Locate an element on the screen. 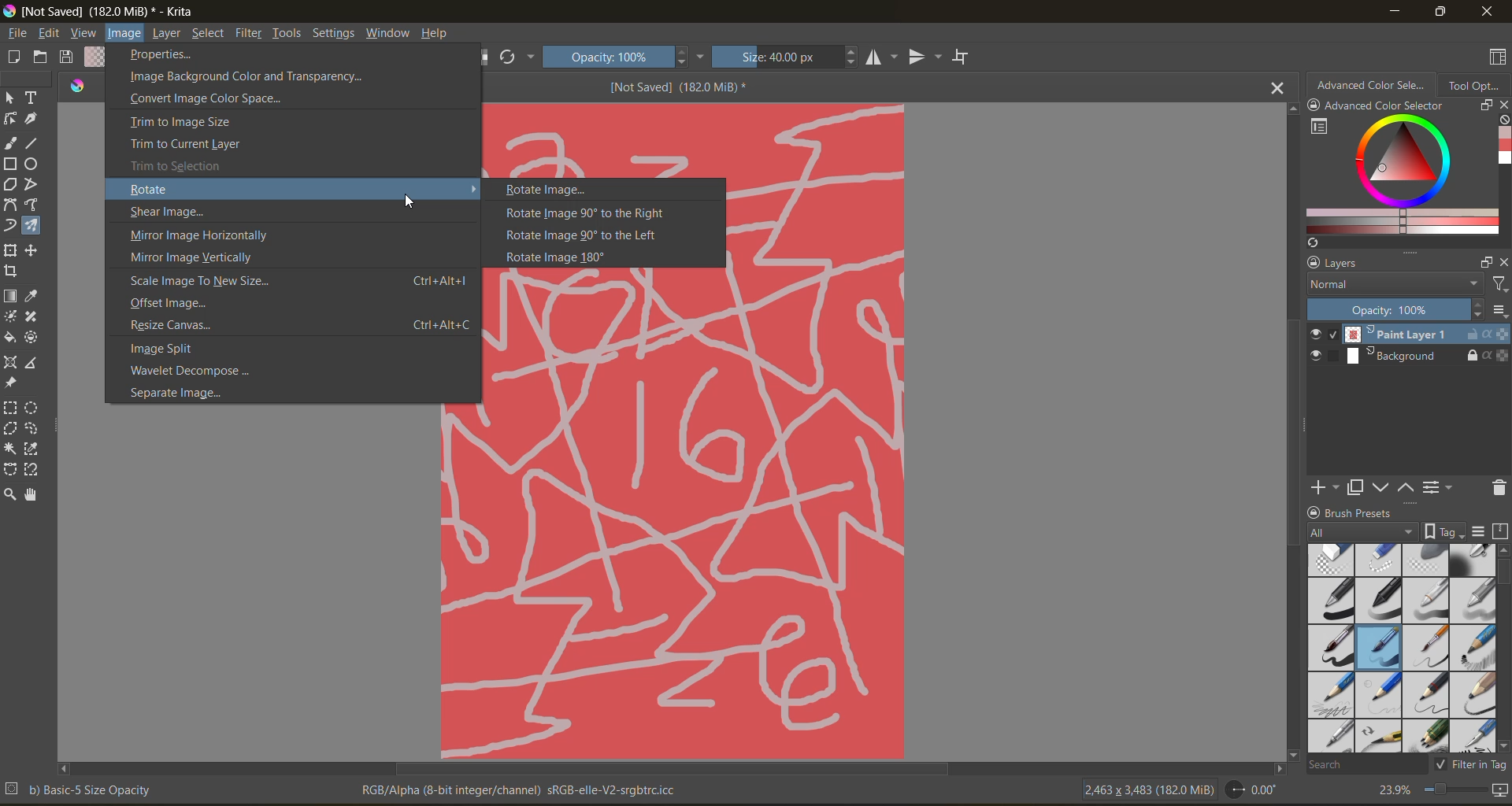 The width and height of the screenshot is (1512, 806). tools is located at coordinates (291, 35).